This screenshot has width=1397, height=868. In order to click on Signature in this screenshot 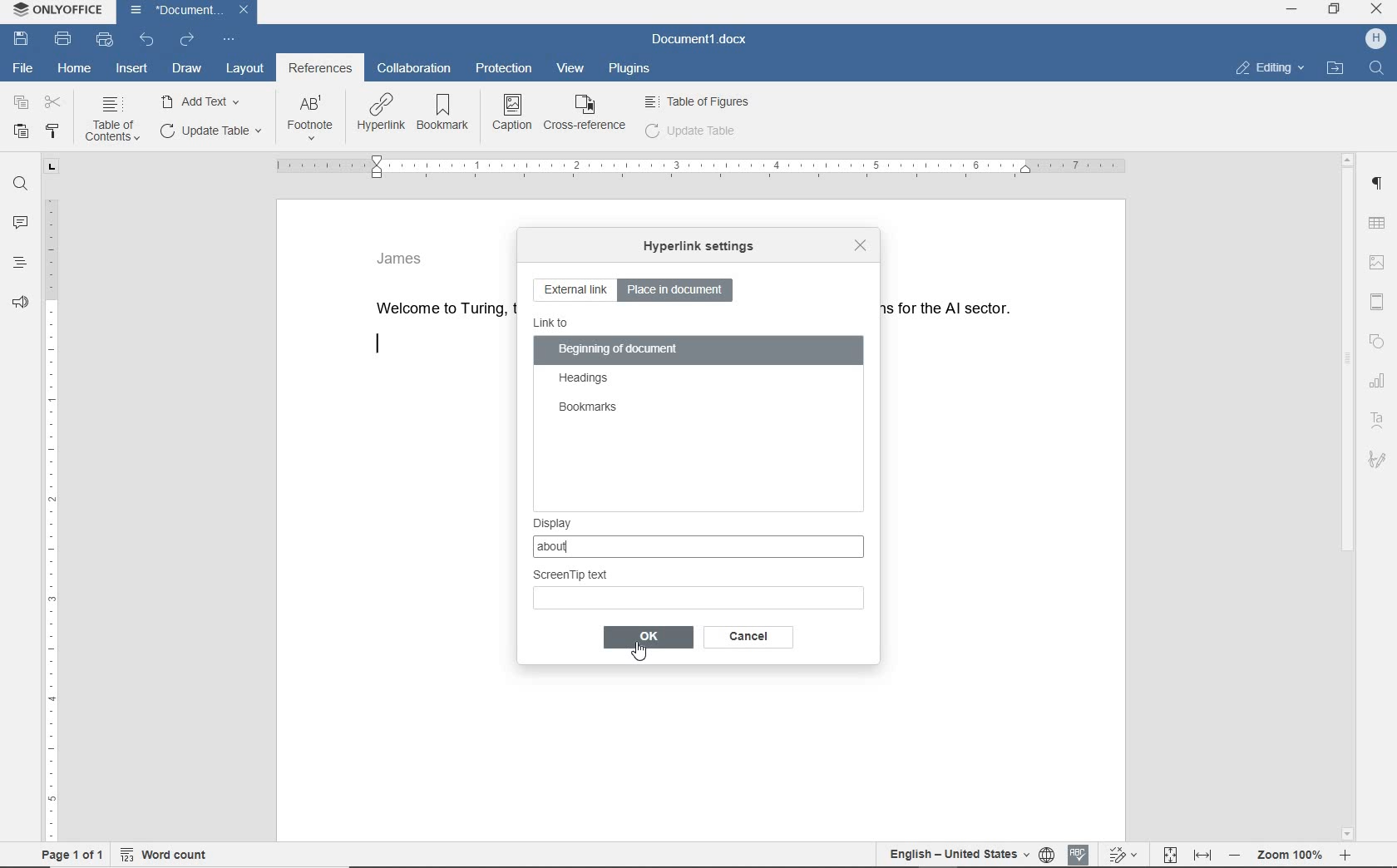, I will do `click(1379, 461)`.